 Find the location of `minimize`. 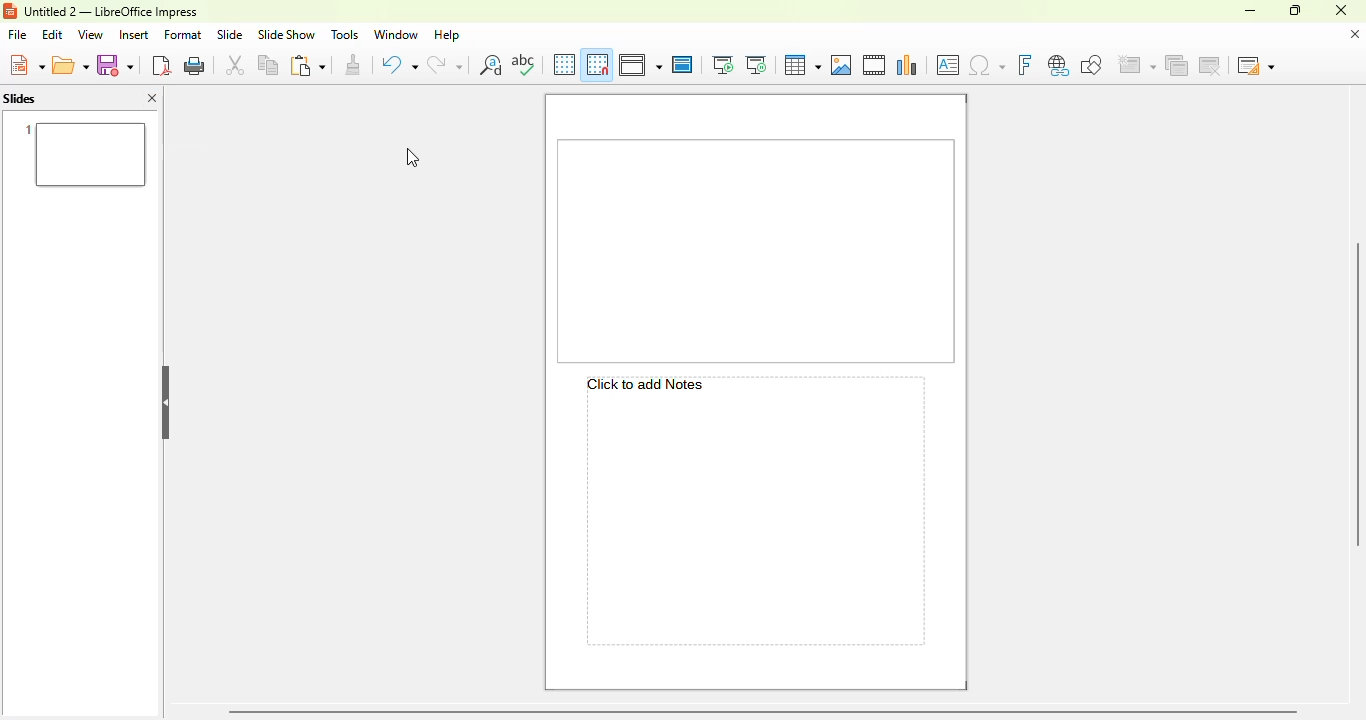

minimize is located at coordinates (1251, 11).